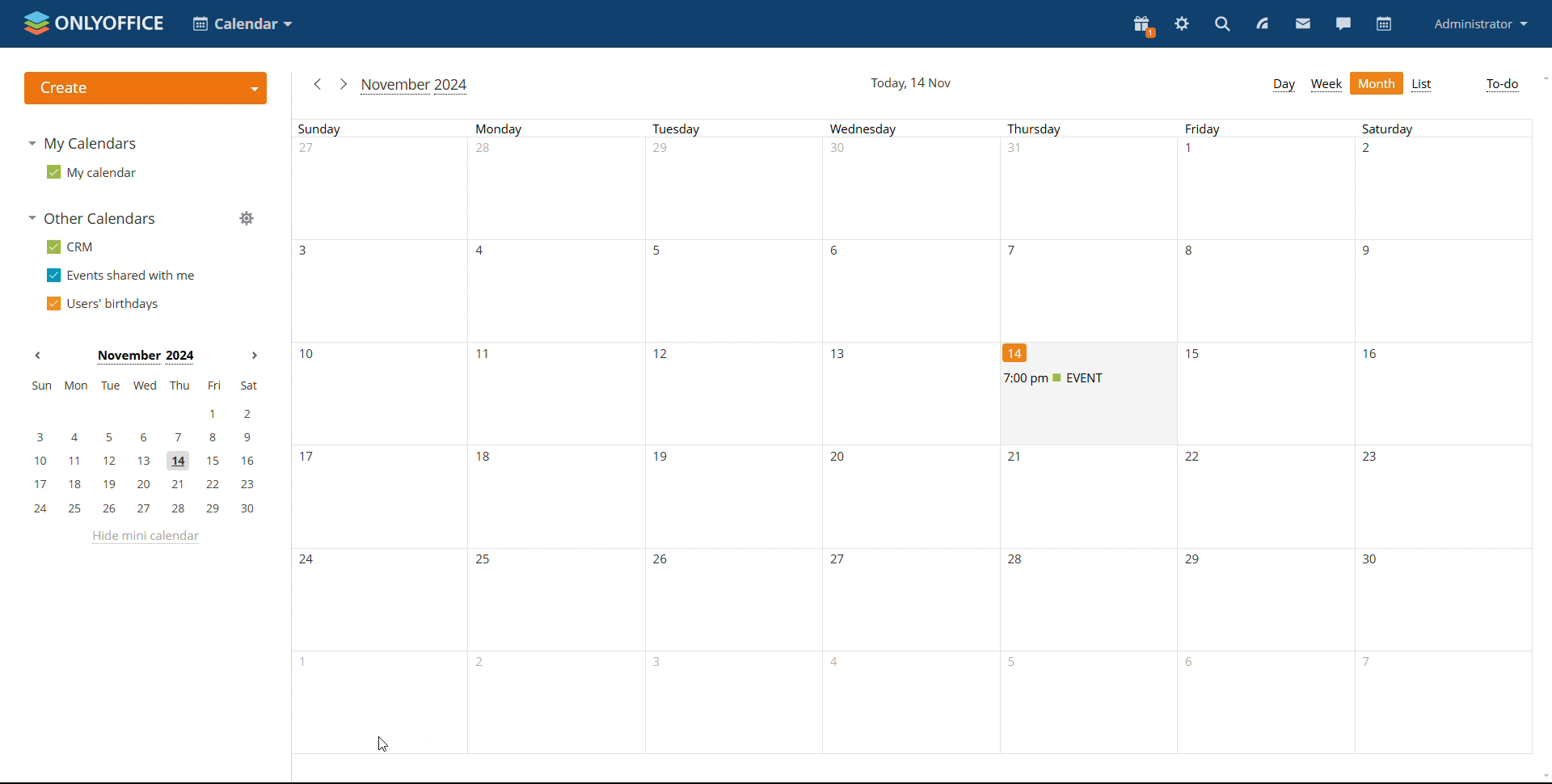 The image size is (1552, 784). What do you see at coordinates (381, 740) in the screenshot?
I see `cursor` at bounding box center [381, 740].